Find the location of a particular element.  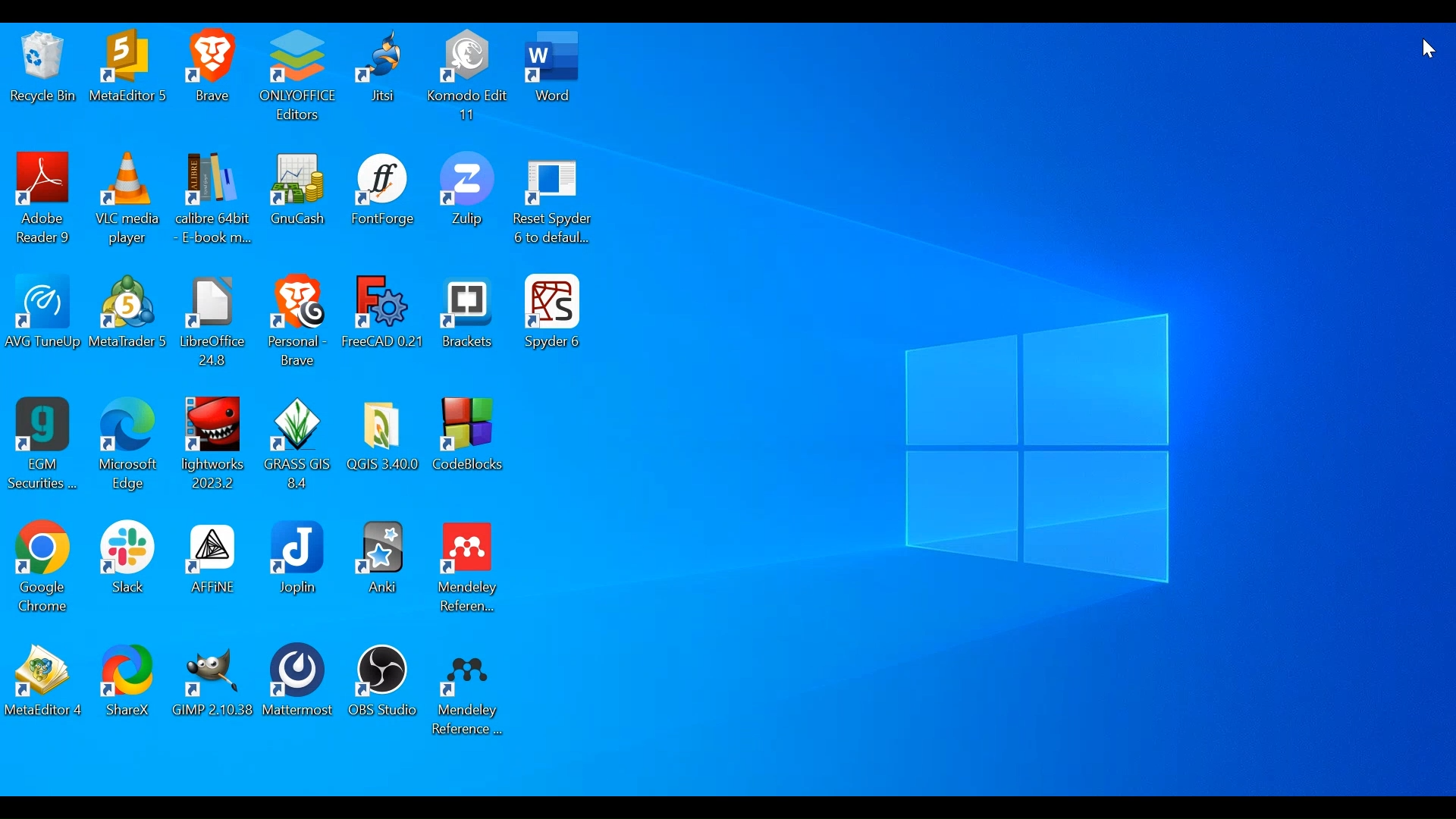

GIMP 2.10.38 is located at coordinates (216, 687).